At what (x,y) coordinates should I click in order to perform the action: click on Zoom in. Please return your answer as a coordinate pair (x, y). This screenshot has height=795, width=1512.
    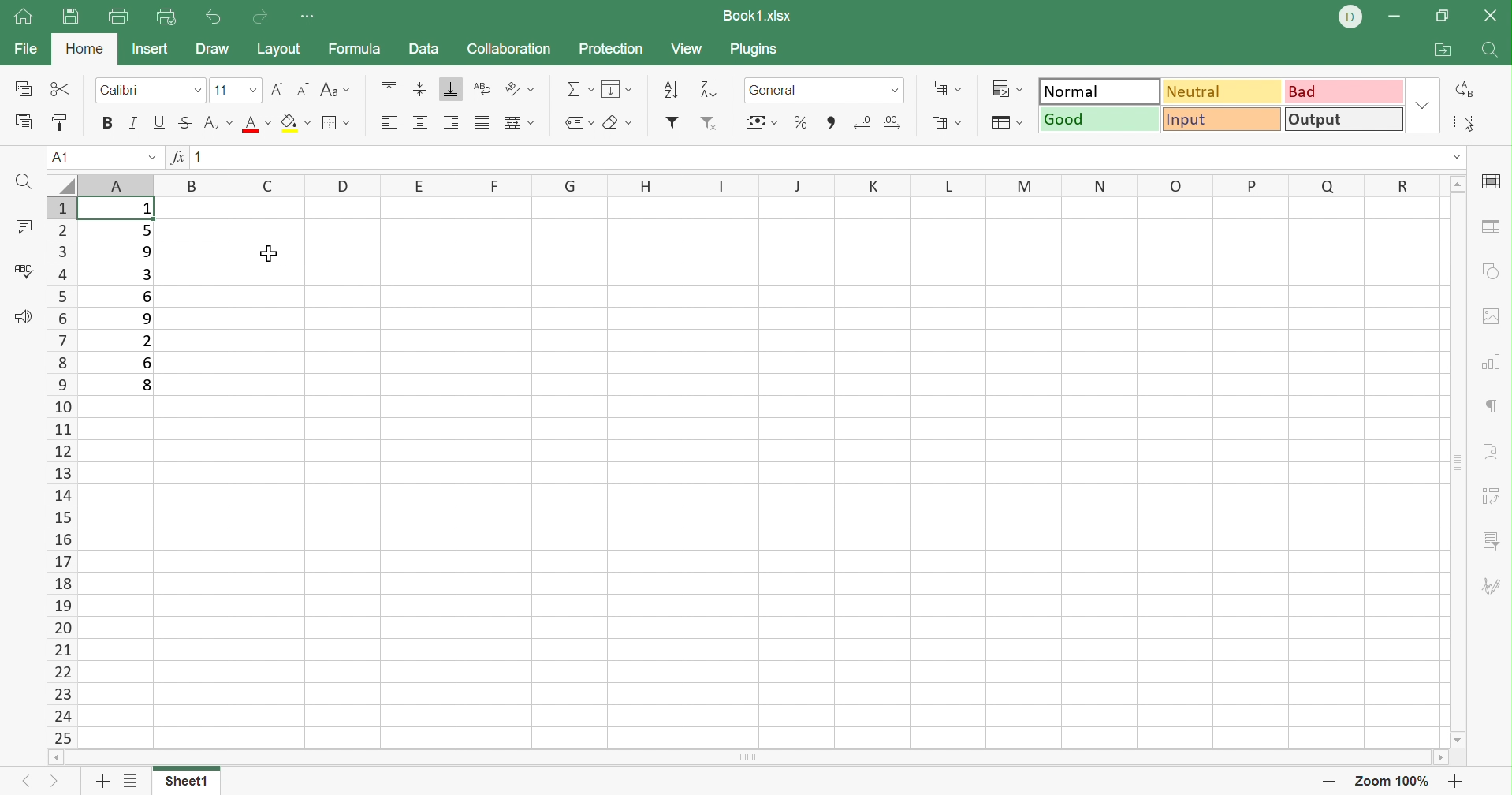
    Looking at the image, I should click on (1323, 780).